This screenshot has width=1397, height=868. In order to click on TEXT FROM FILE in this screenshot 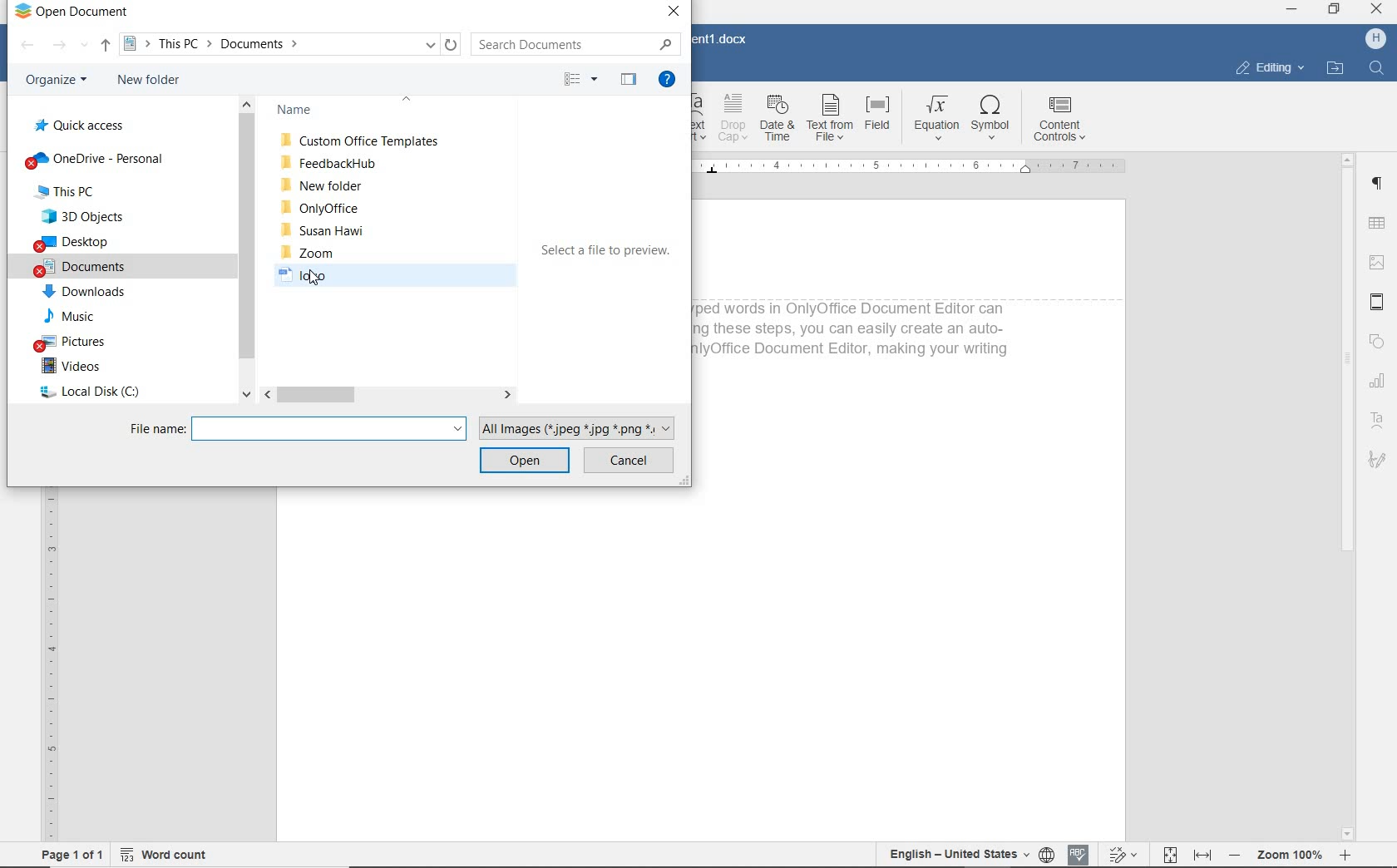, I will do `click(829, 121)`.